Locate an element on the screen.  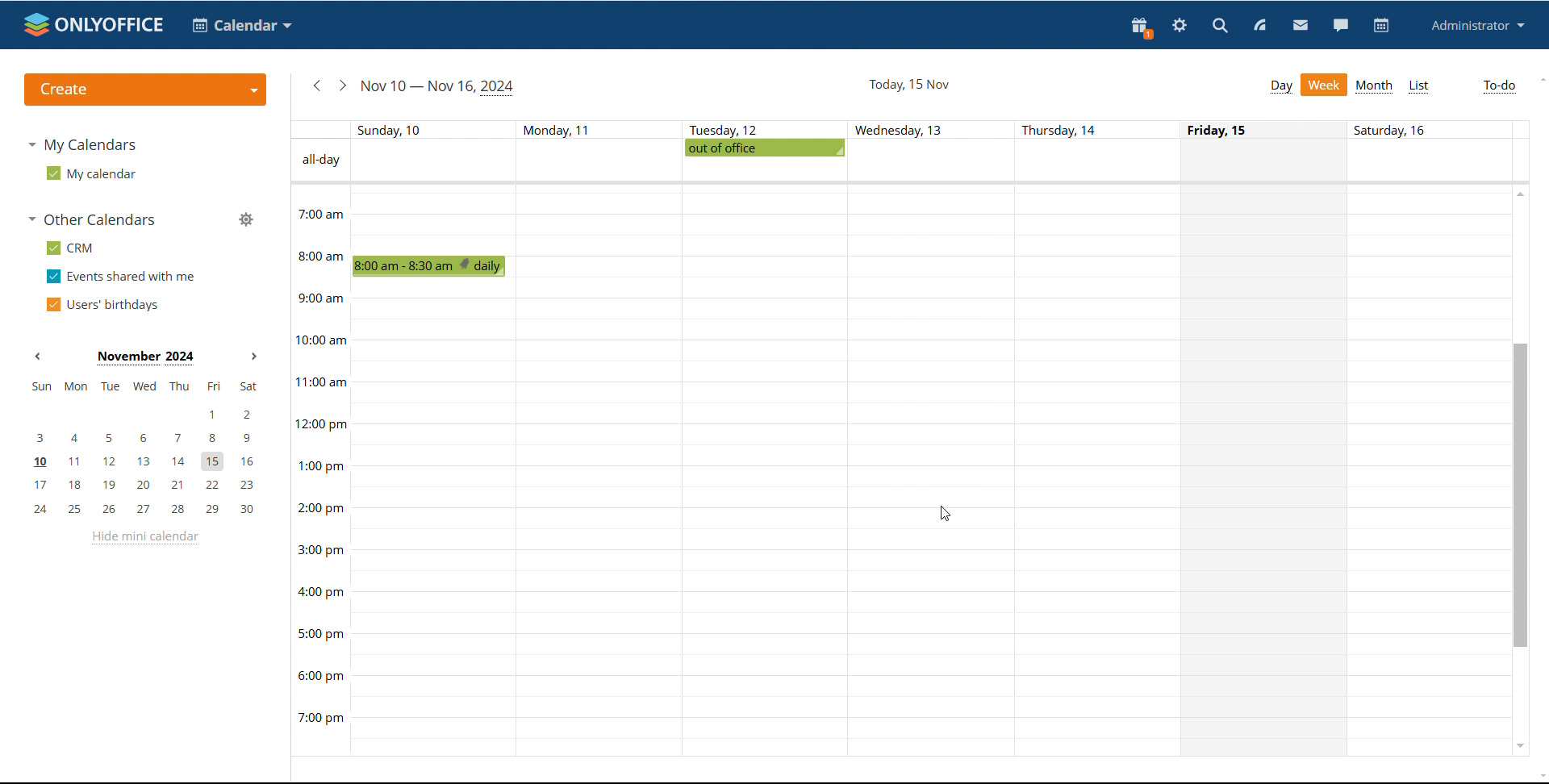
scroll down is located at coordinates (1520, 746).